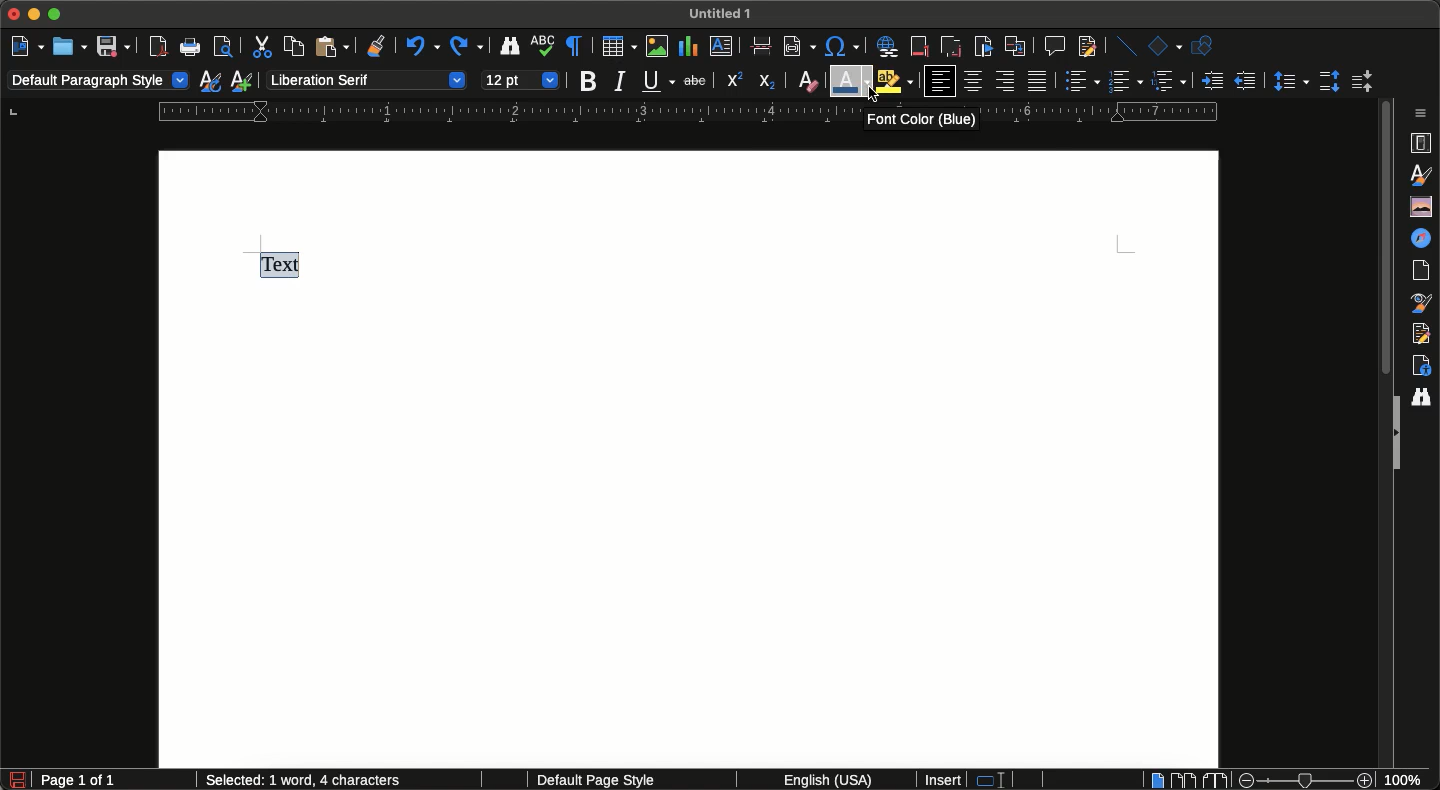 Image resolution: width=1440 pixels, height=790 pixels. Describe the element at coordinates (798, 45) in the screenshot. I see `Insert field` at that location.